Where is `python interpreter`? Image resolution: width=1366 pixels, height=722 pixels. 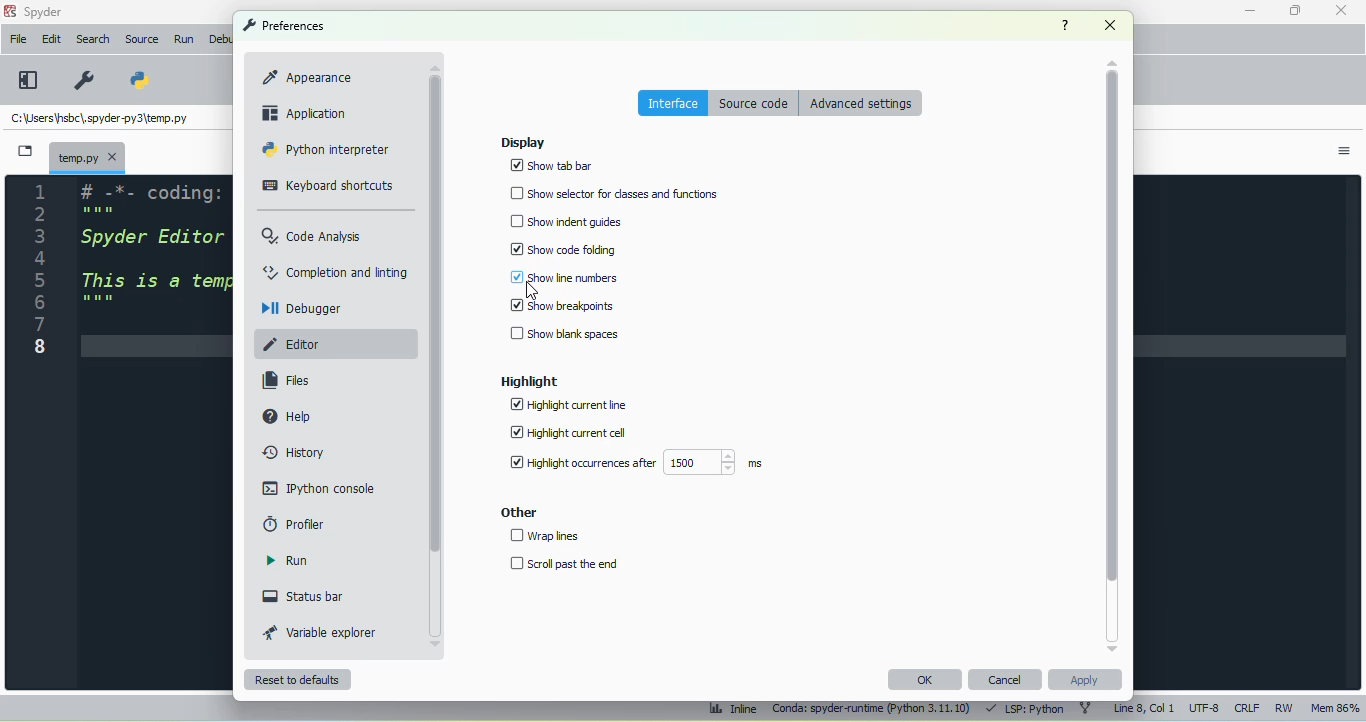 python interpreter is located at coordinates (325, 149).